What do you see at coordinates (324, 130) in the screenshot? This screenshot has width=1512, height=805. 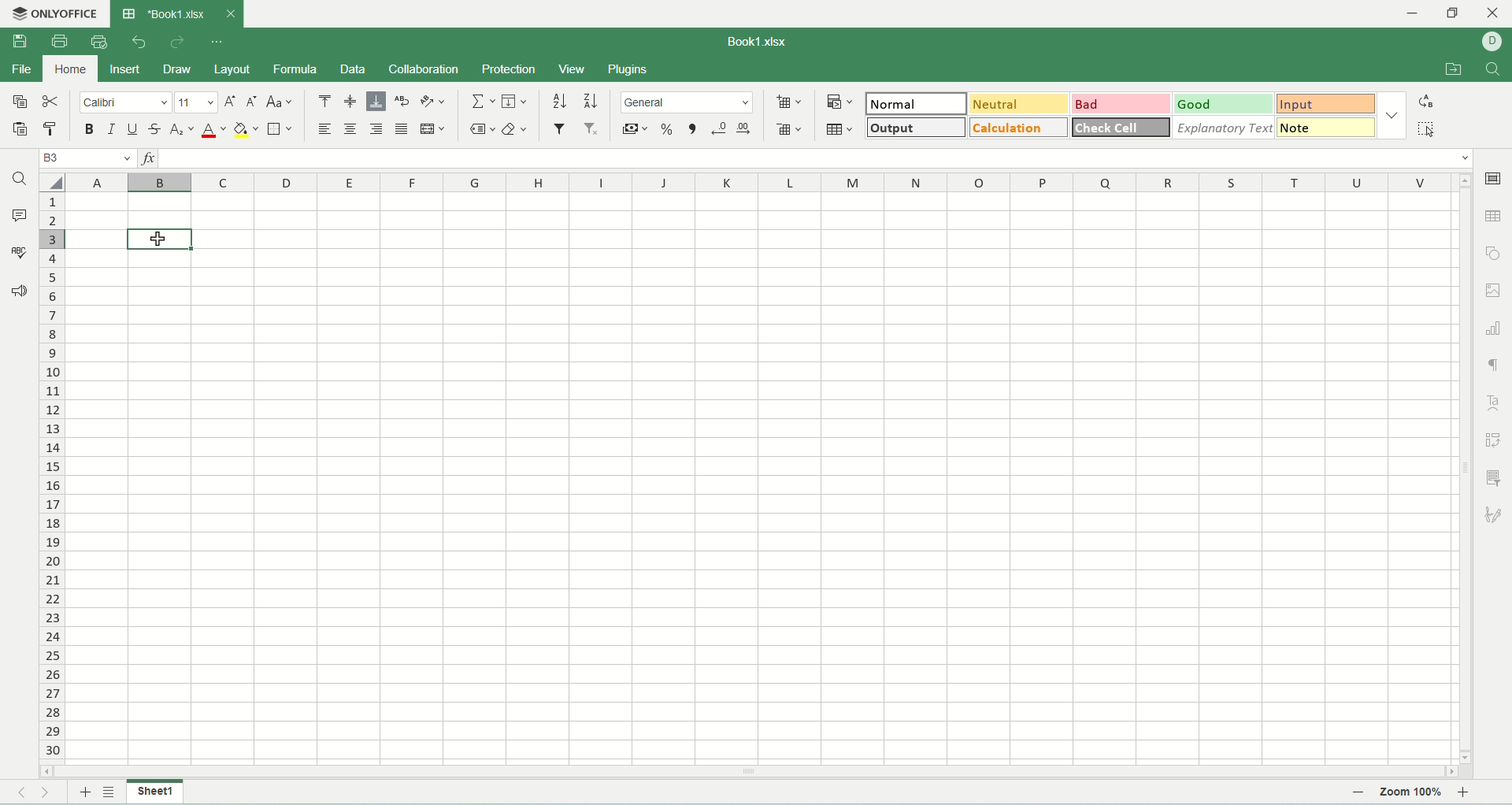 I see `align left` at bounding box center [324, 130].